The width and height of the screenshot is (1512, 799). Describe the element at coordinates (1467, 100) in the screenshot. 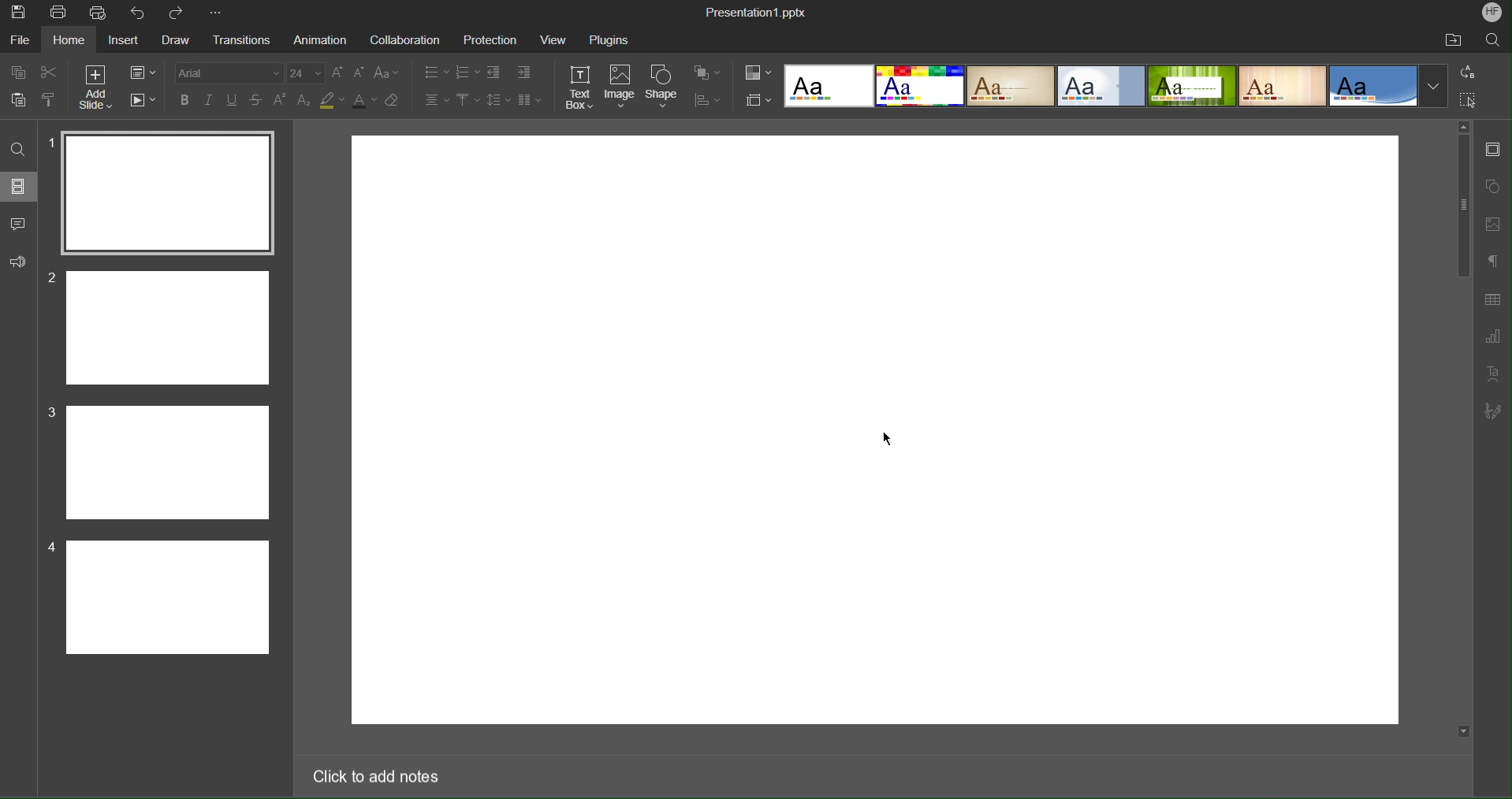

I see `Selection` at that location.